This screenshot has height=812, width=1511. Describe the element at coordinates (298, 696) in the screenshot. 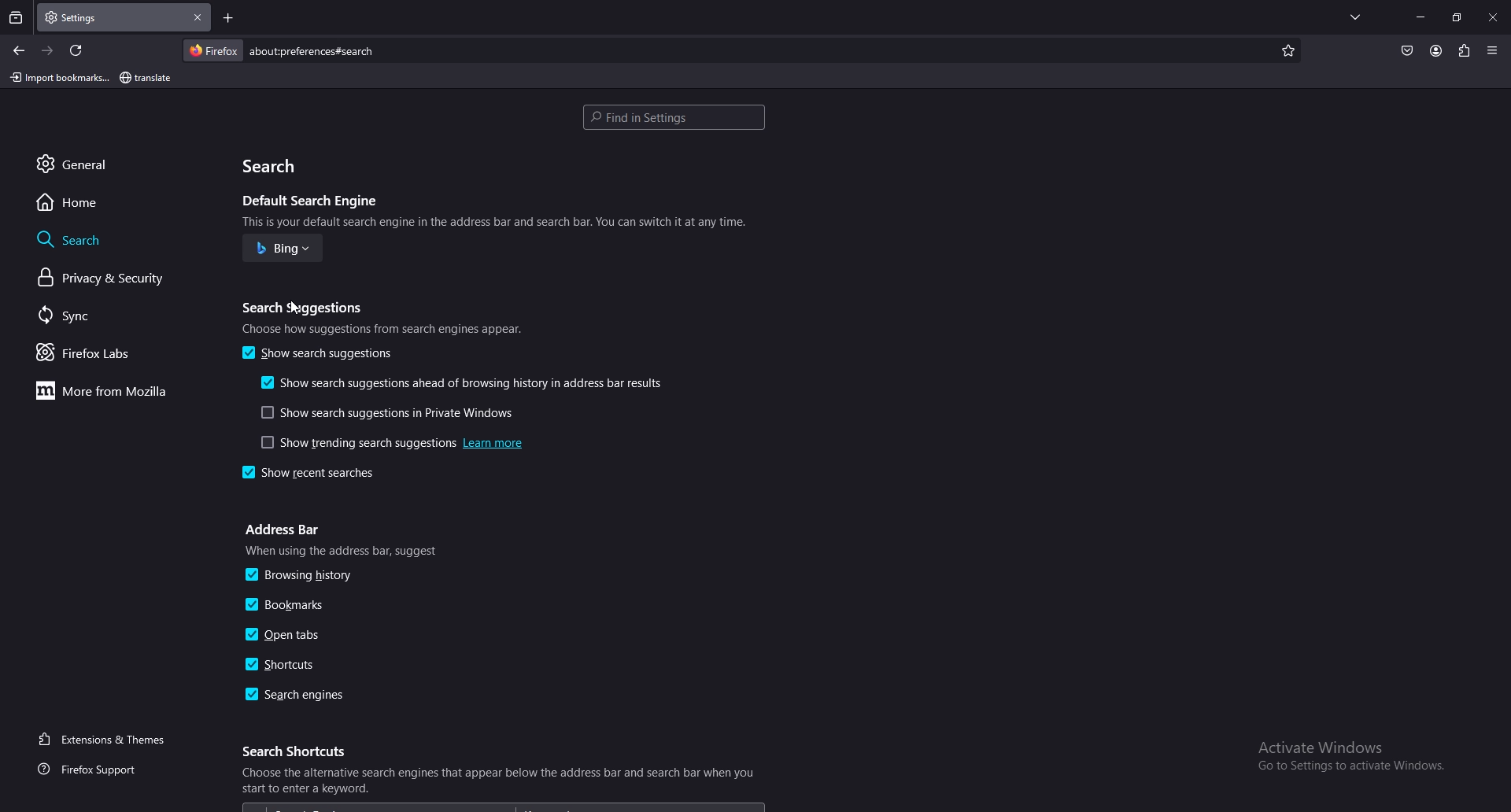

I see `search engines` at that location.